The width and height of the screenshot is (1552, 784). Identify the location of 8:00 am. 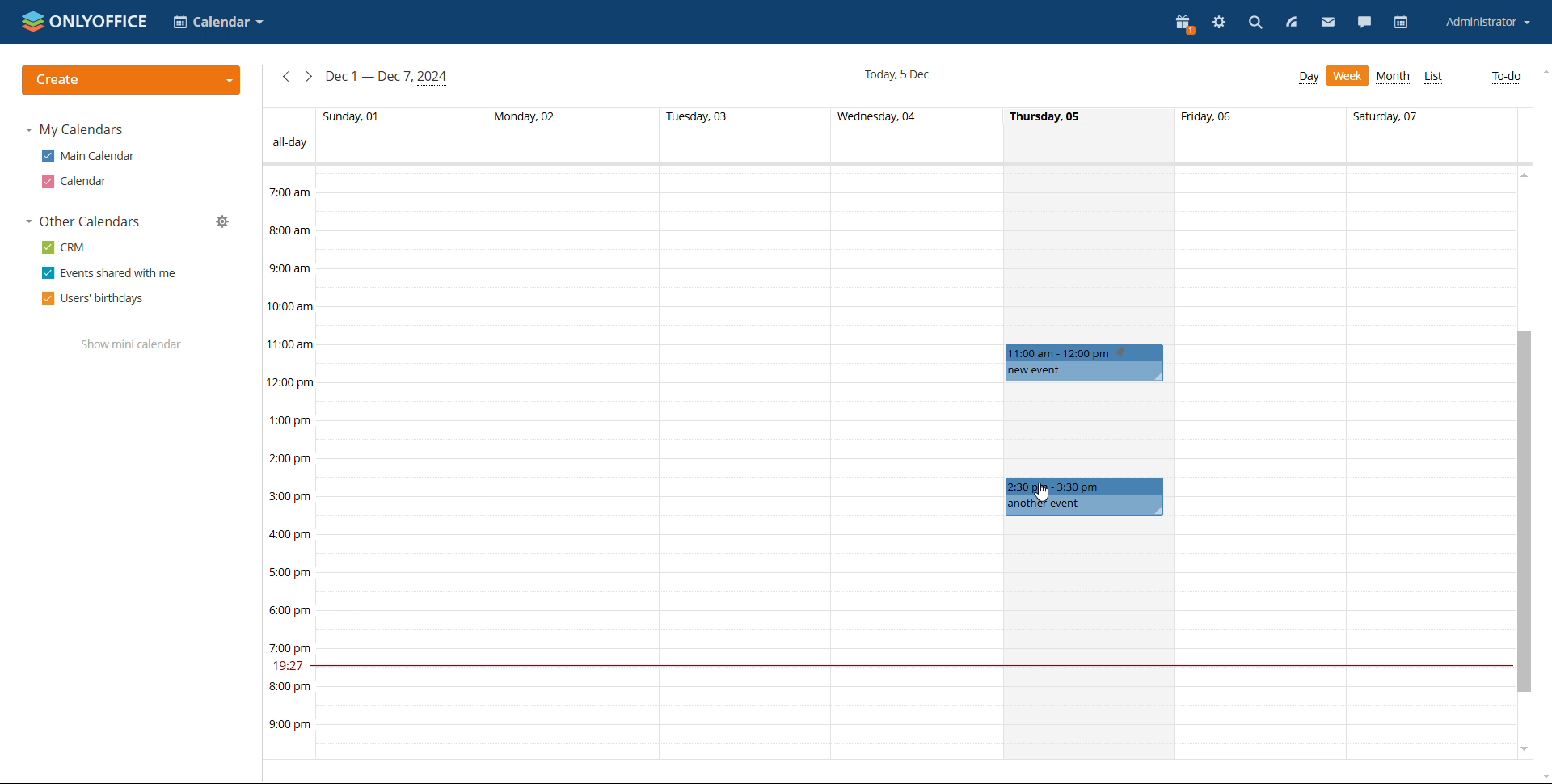
(289, 231).